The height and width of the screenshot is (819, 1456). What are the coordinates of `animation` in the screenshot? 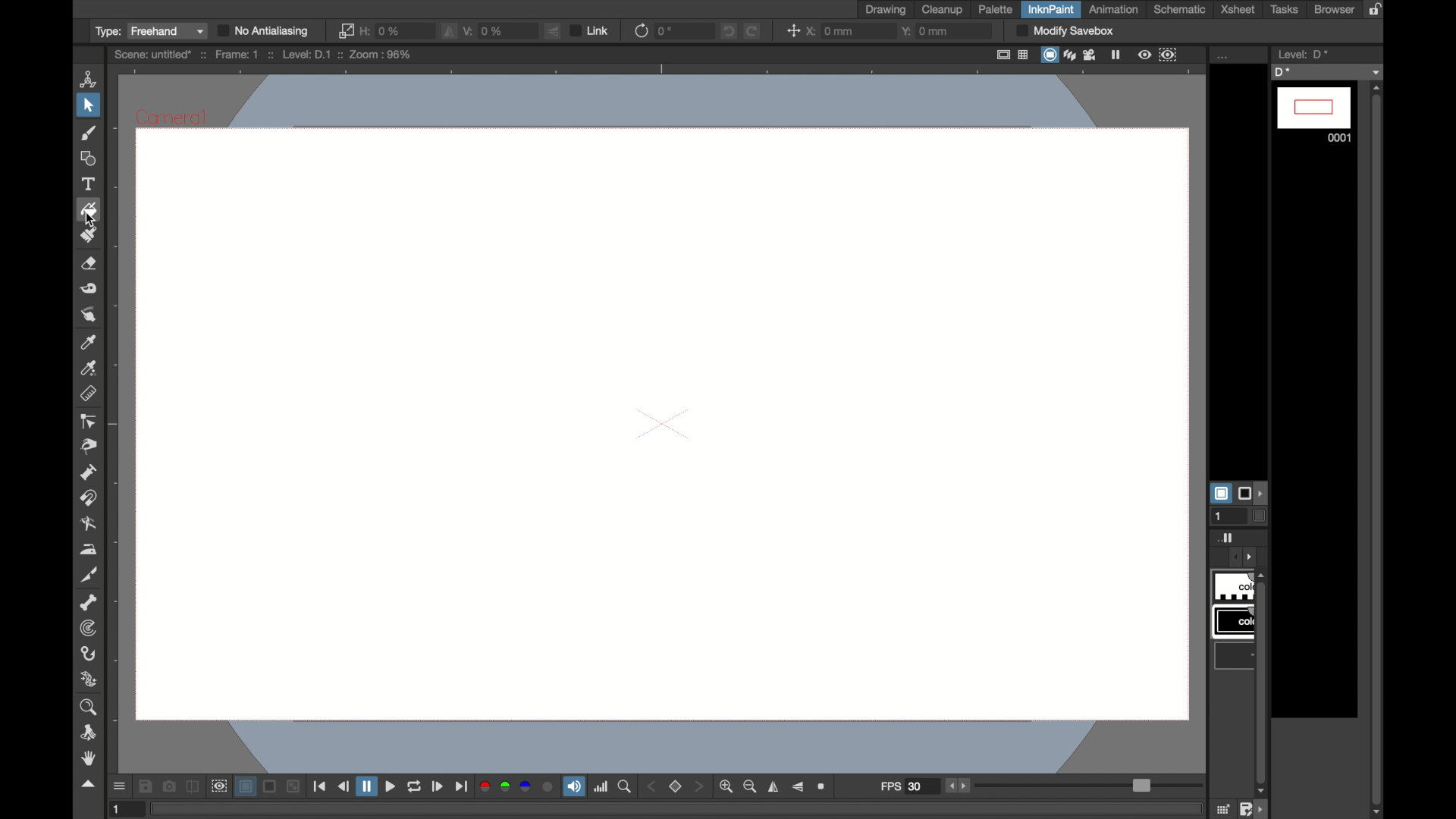 It's located at (1112, 9).